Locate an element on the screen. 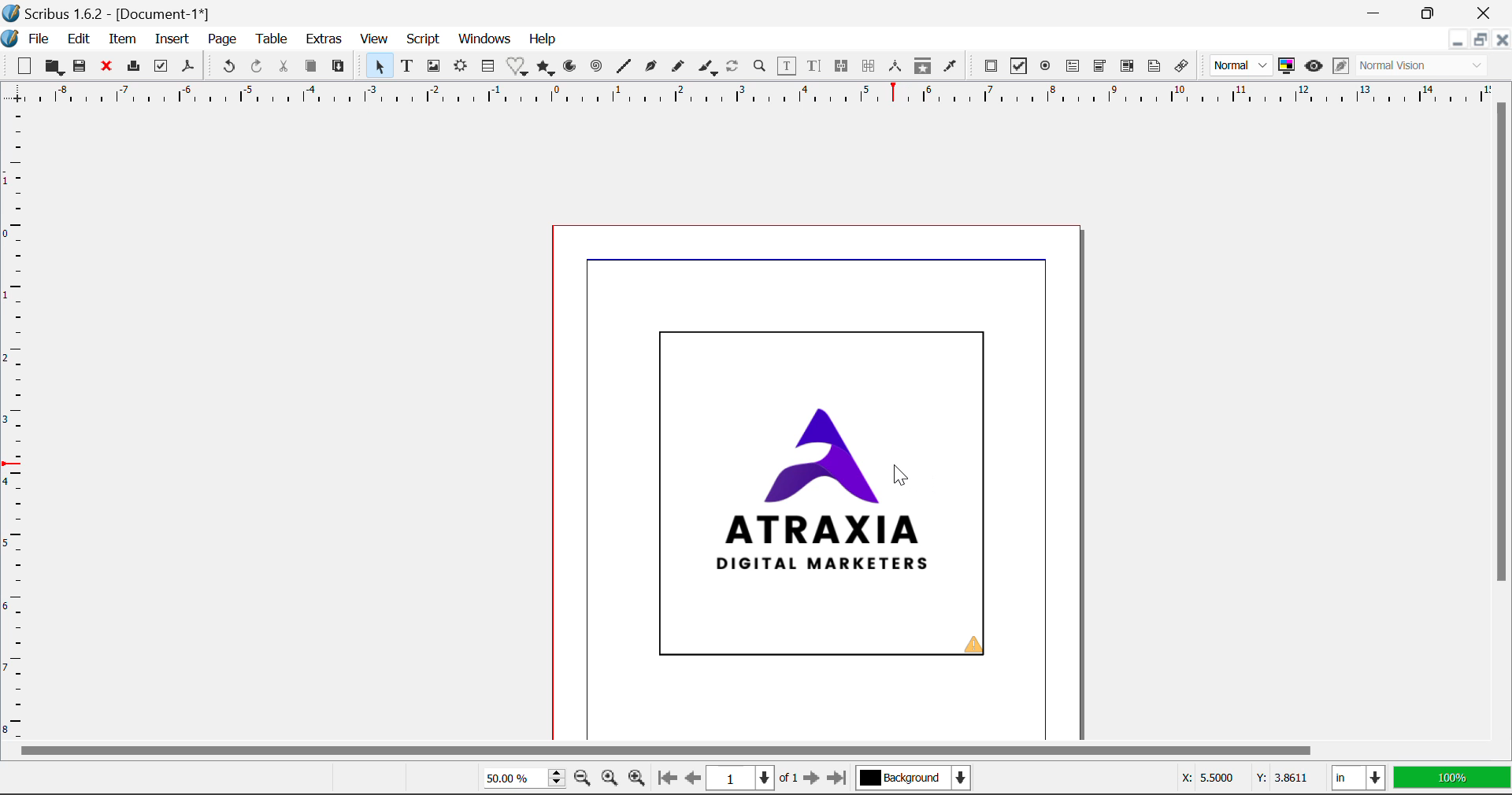 The height and width of the screenshot is (795, 1512). Edit Text with Story Editor is located at coordinates (816, 68).